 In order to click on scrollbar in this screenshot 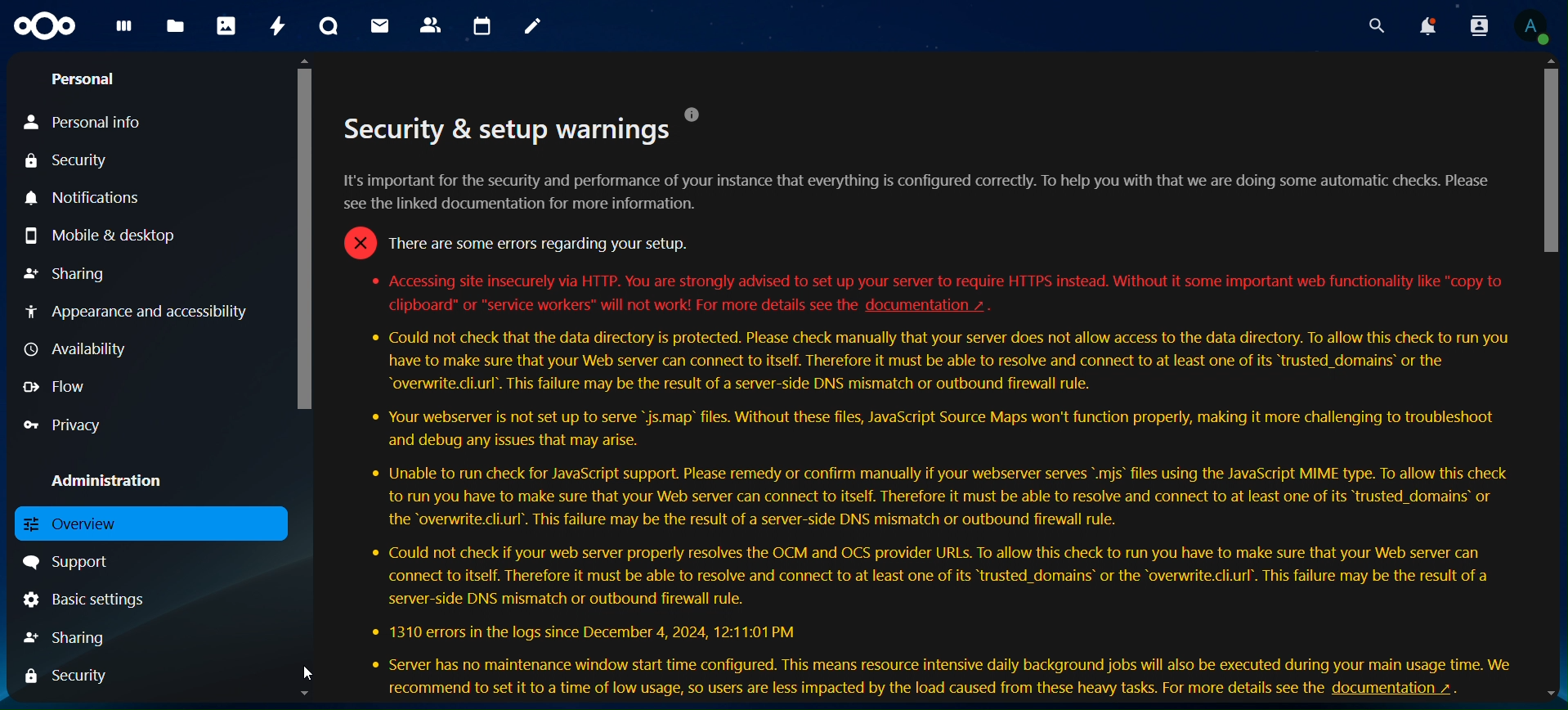, I will do `click(306, 353)`.